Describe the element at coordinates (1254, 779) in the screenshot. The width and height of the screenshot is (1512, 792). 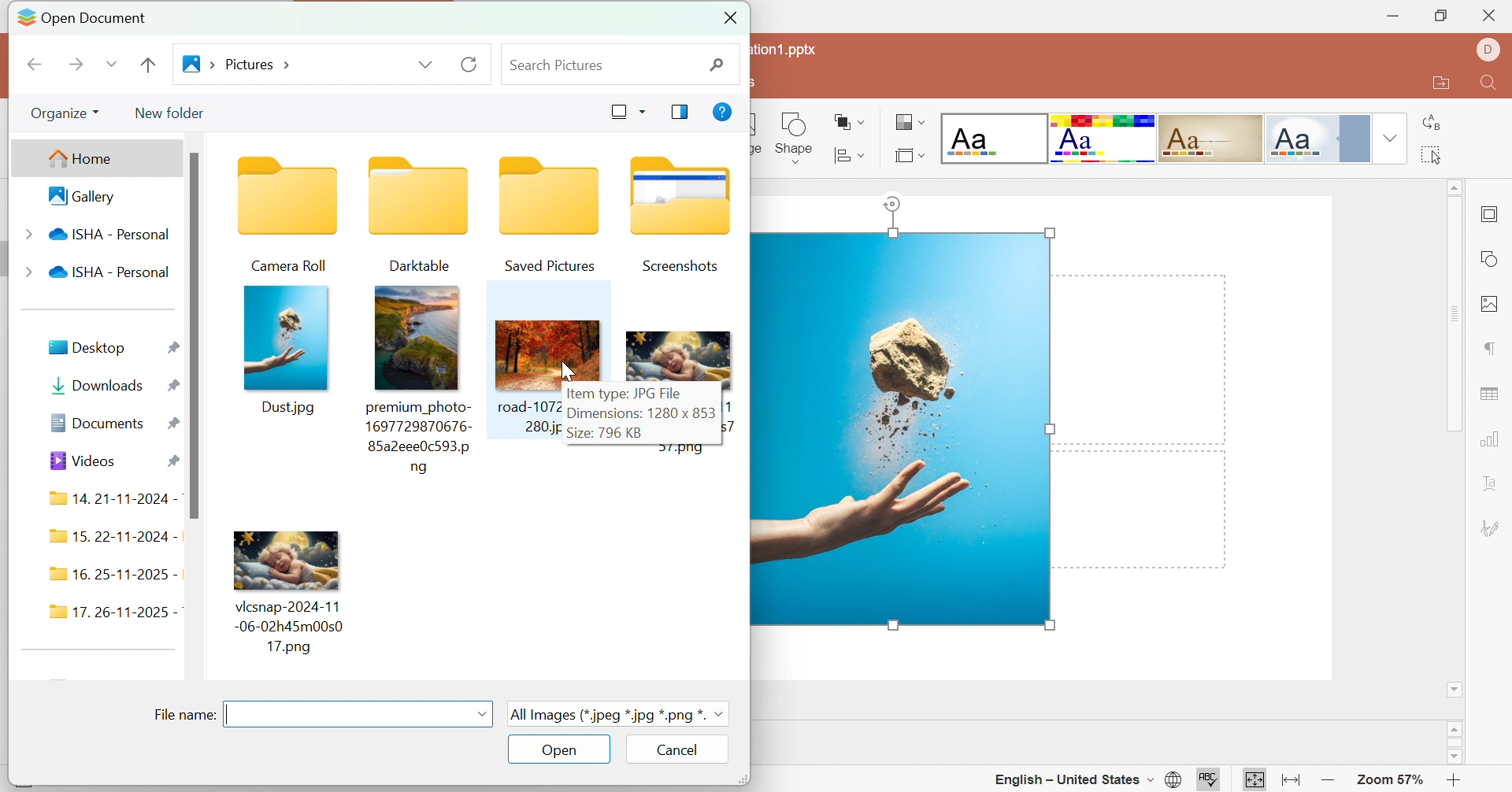
I see `Fit to slide` at that location.